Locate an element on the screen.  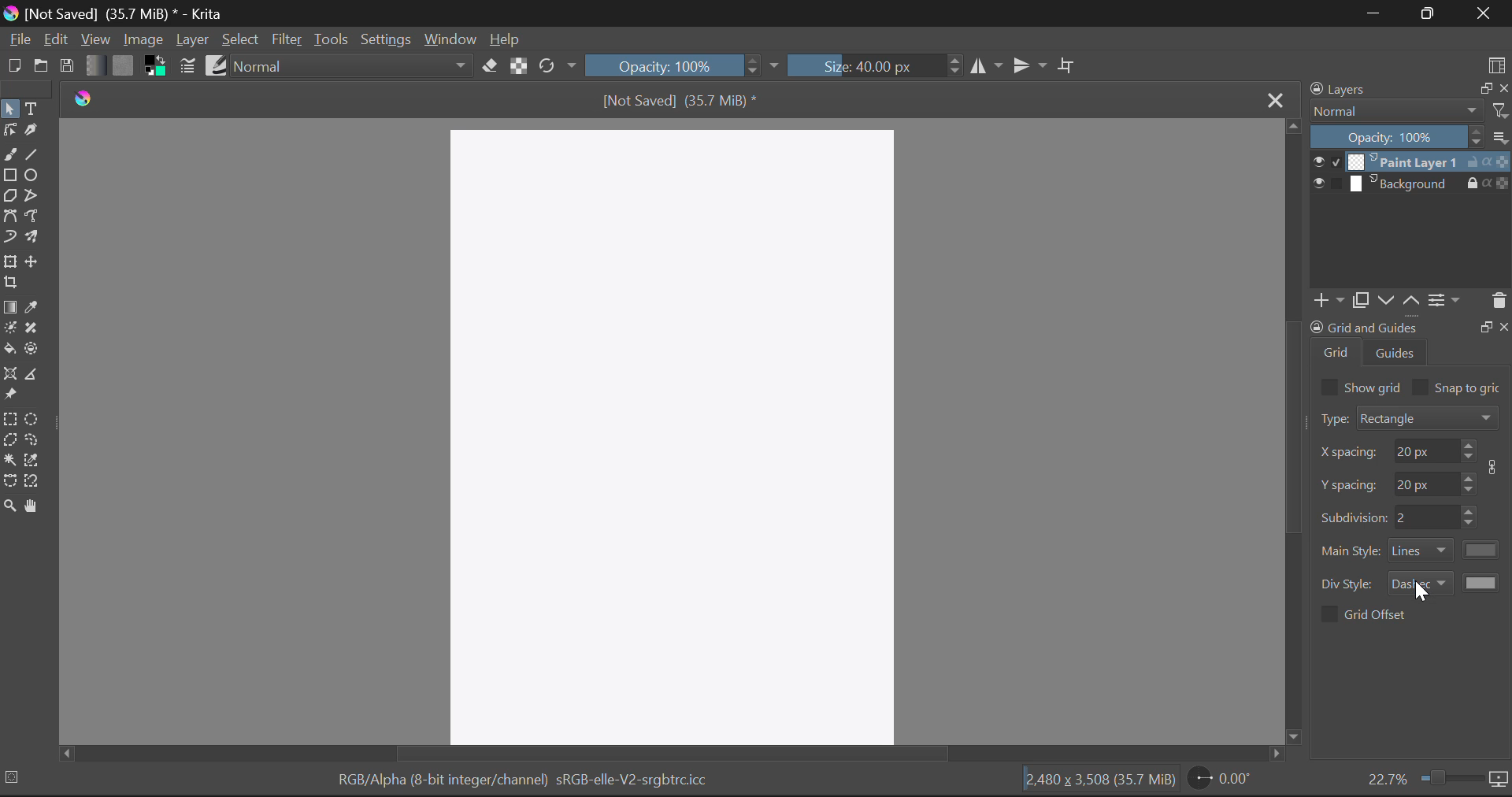
Zoom slider is located at coordinates (1449, 777).